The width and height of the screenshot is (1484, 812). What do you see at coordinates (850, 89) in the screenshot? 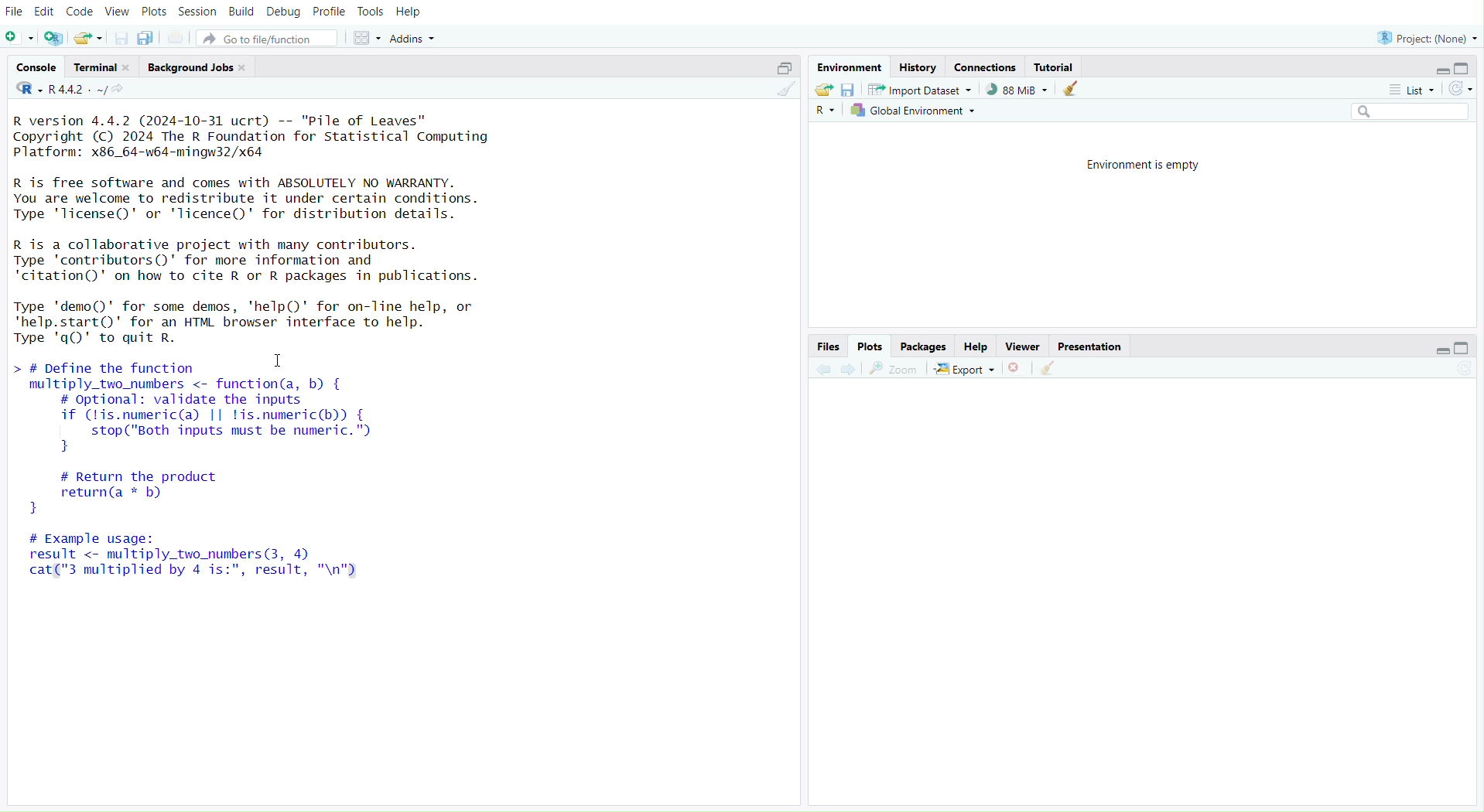
I see `Save workspace as` at bounding box center [850, 89].